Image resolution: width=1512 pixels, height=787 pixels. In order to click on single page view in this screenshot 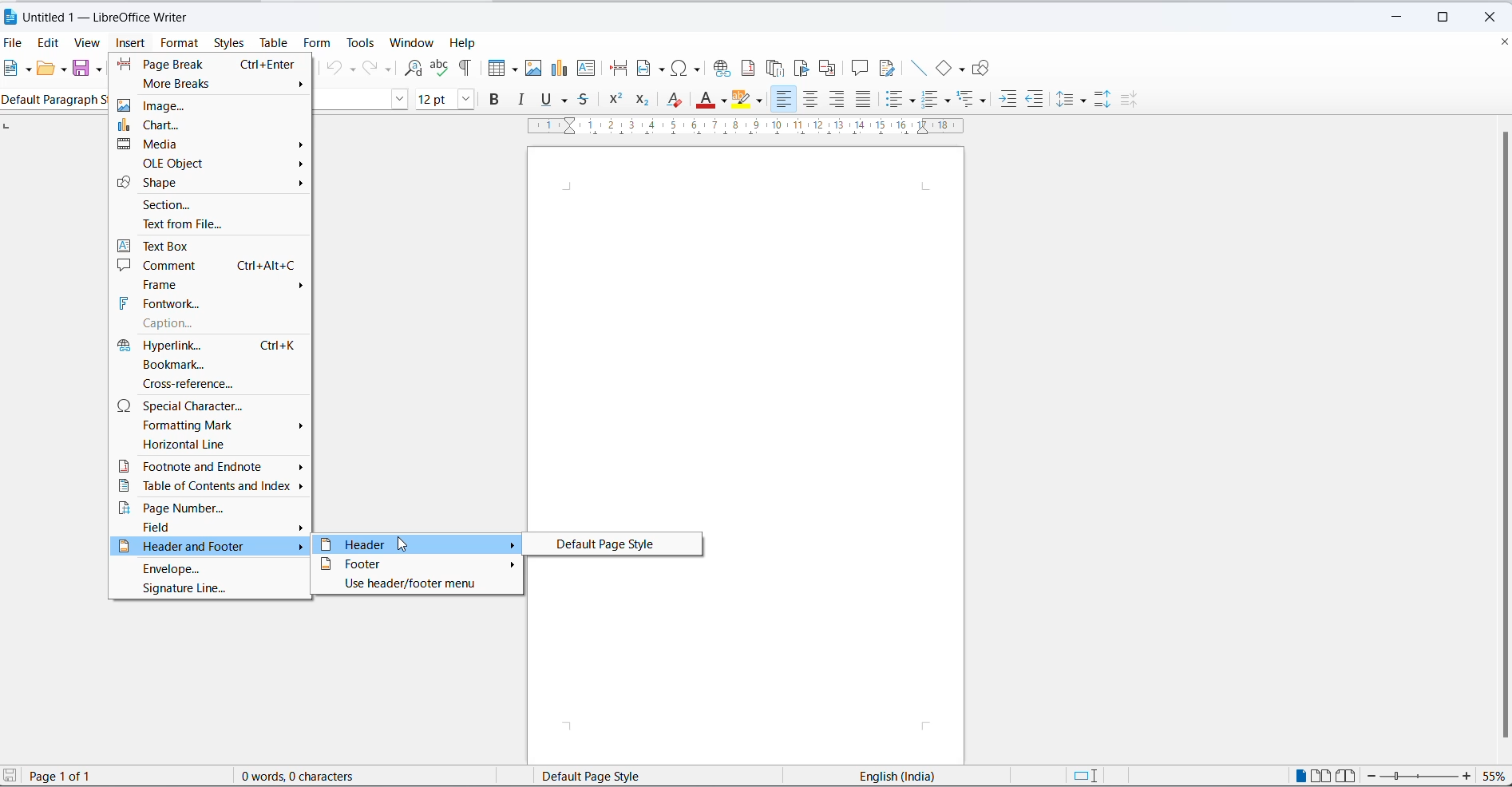, I will do `click(1300, 776)`.